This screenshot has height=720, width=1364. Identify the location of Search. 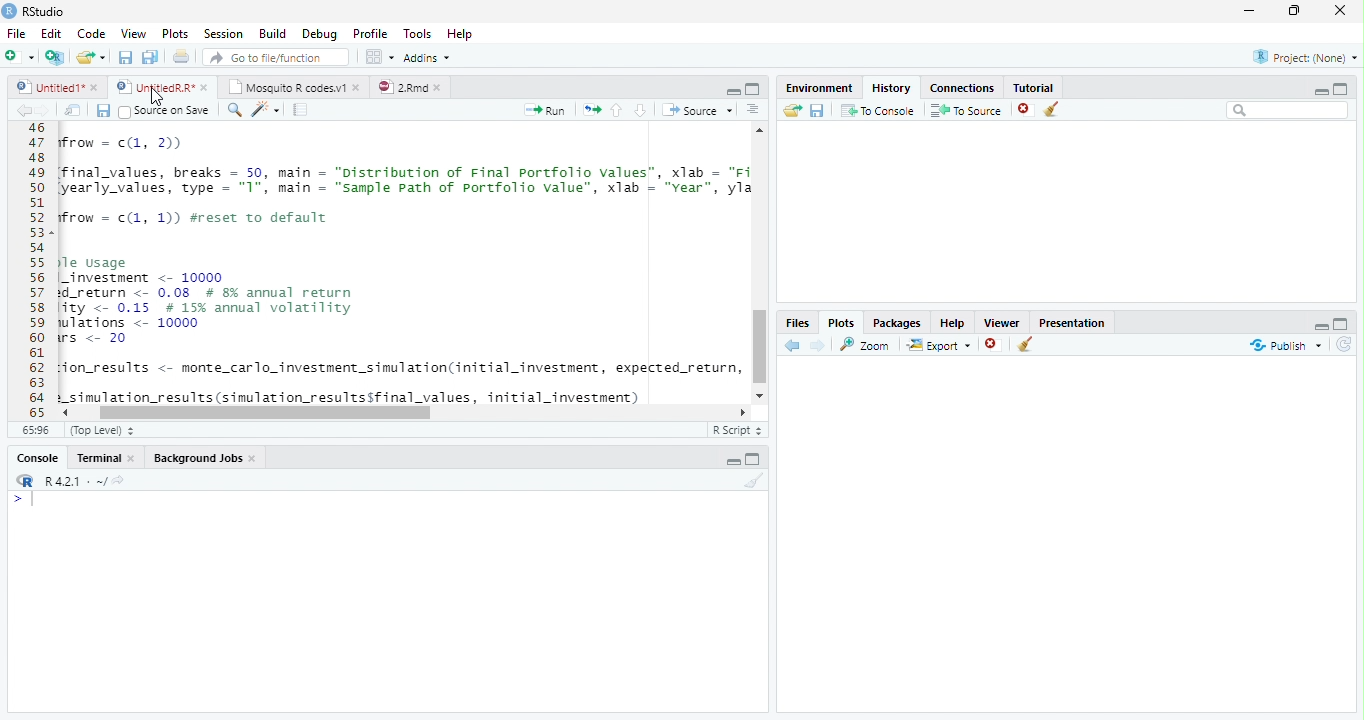
(1288, 110).